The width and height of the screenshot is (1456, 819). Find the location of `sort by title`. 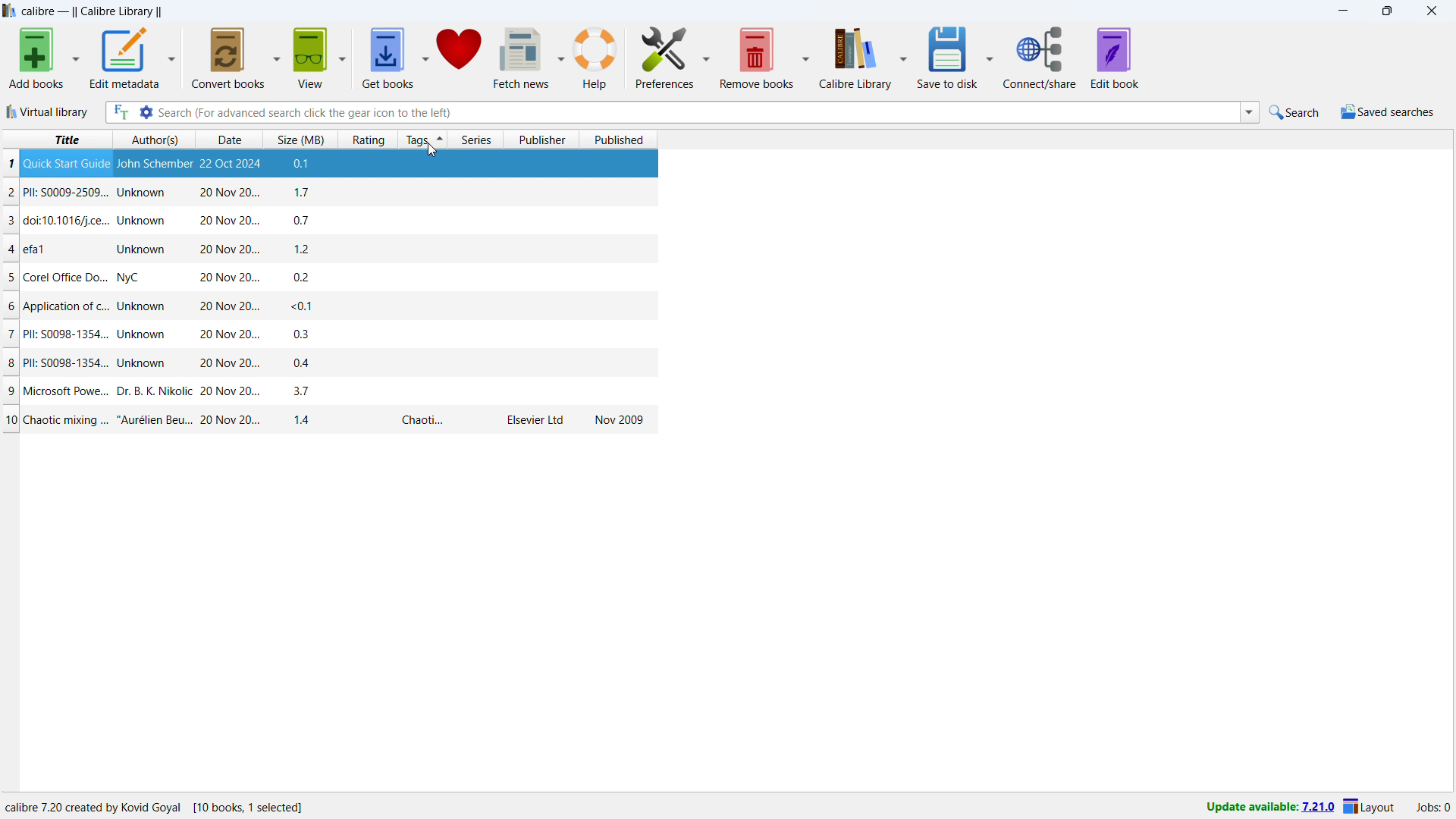

sort by title is located at coordinates (56, 140).